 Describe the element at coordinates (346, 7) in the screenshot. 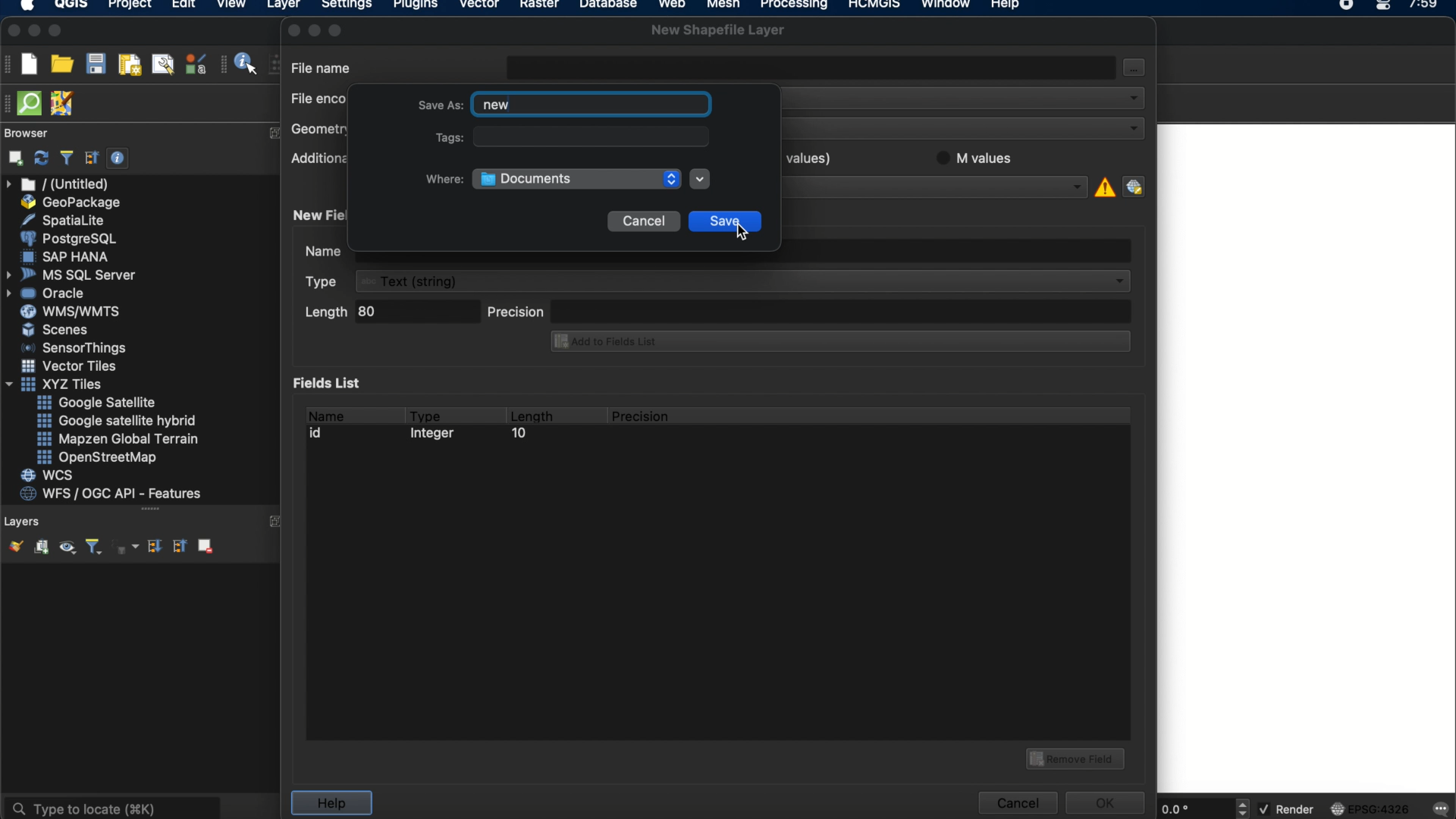

I see `settings` at that location.